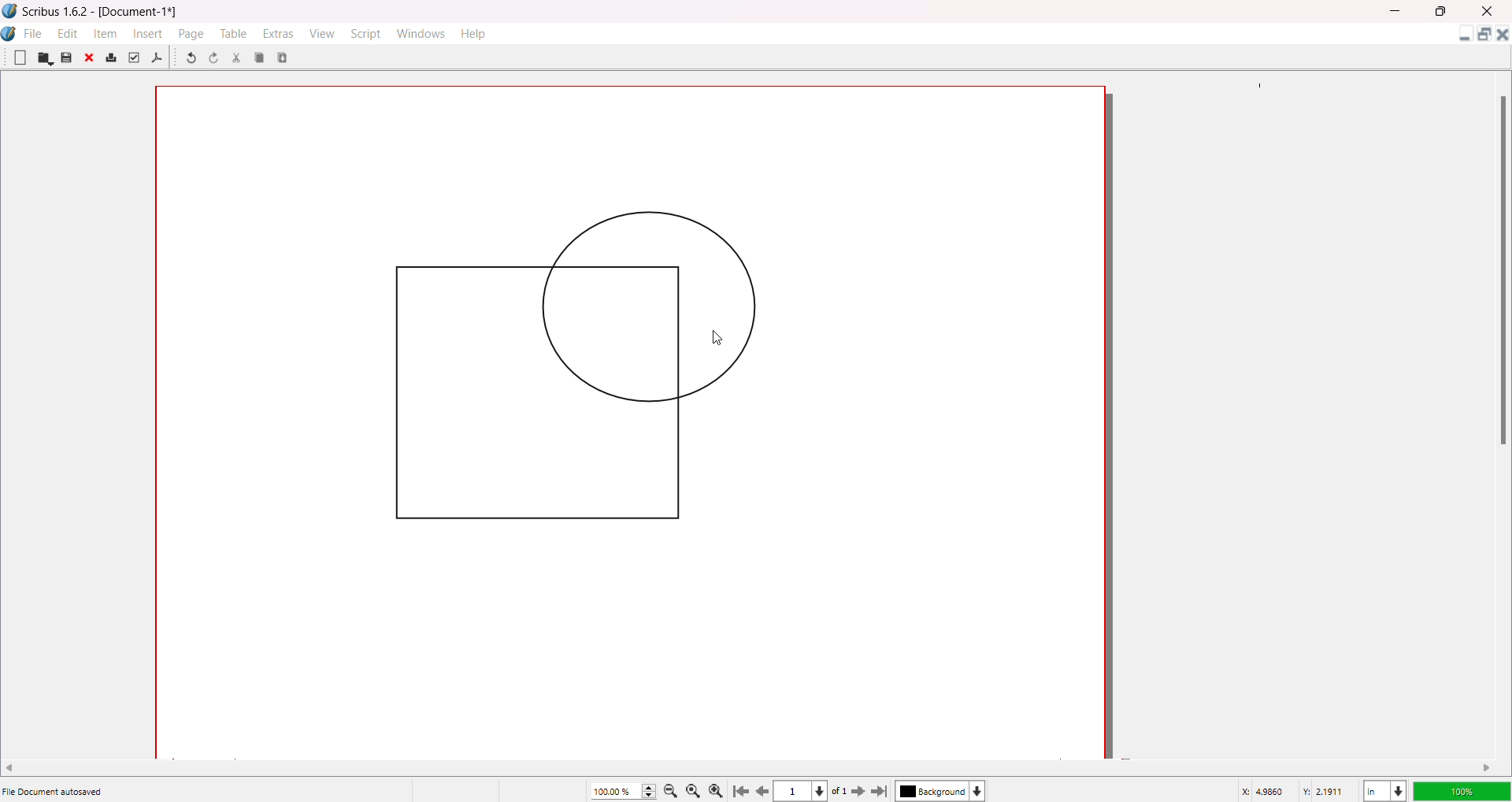  Describe the element at coordinates (723, 341) in the screenshot. I see `cursor` at that location.